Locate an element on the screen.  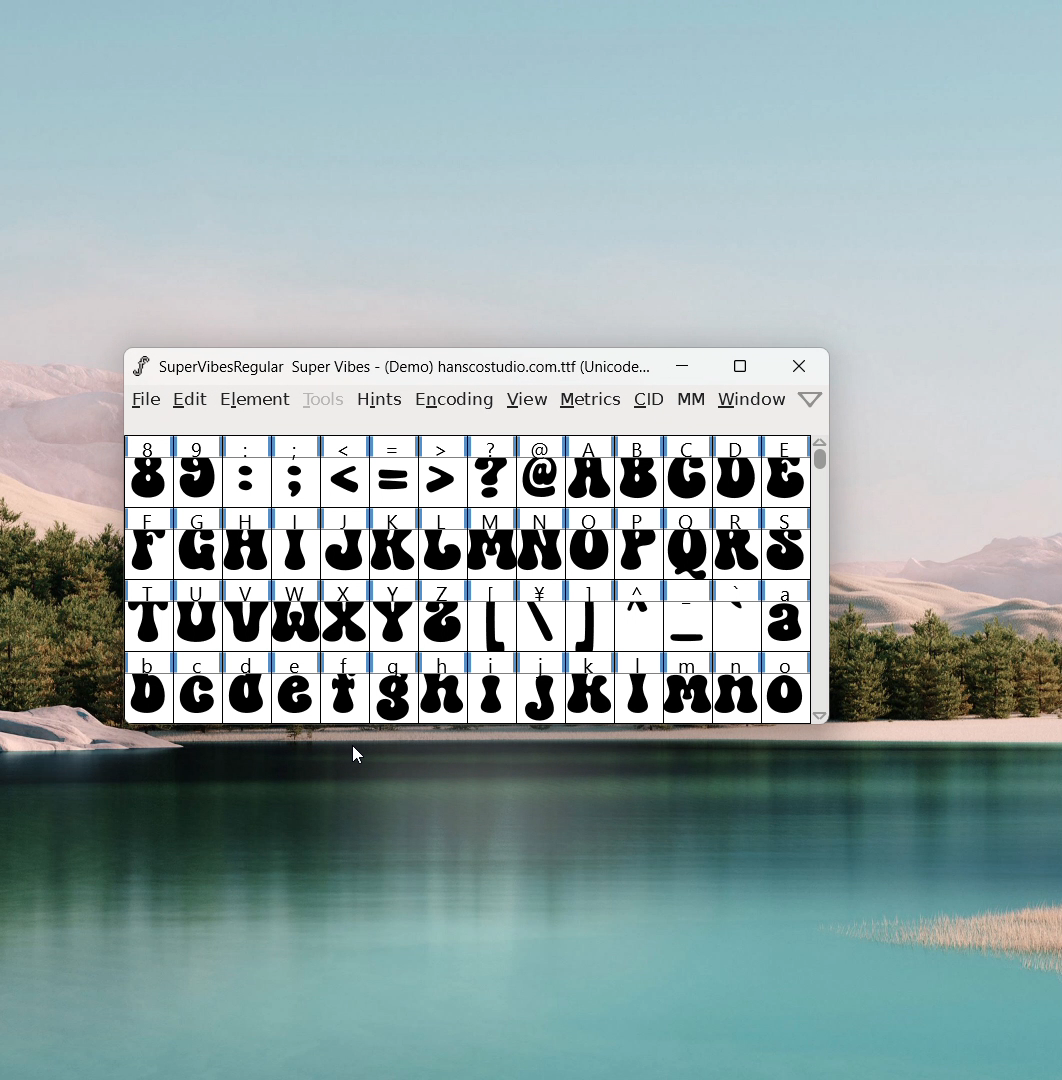
C is located at coordinates (689, 471).